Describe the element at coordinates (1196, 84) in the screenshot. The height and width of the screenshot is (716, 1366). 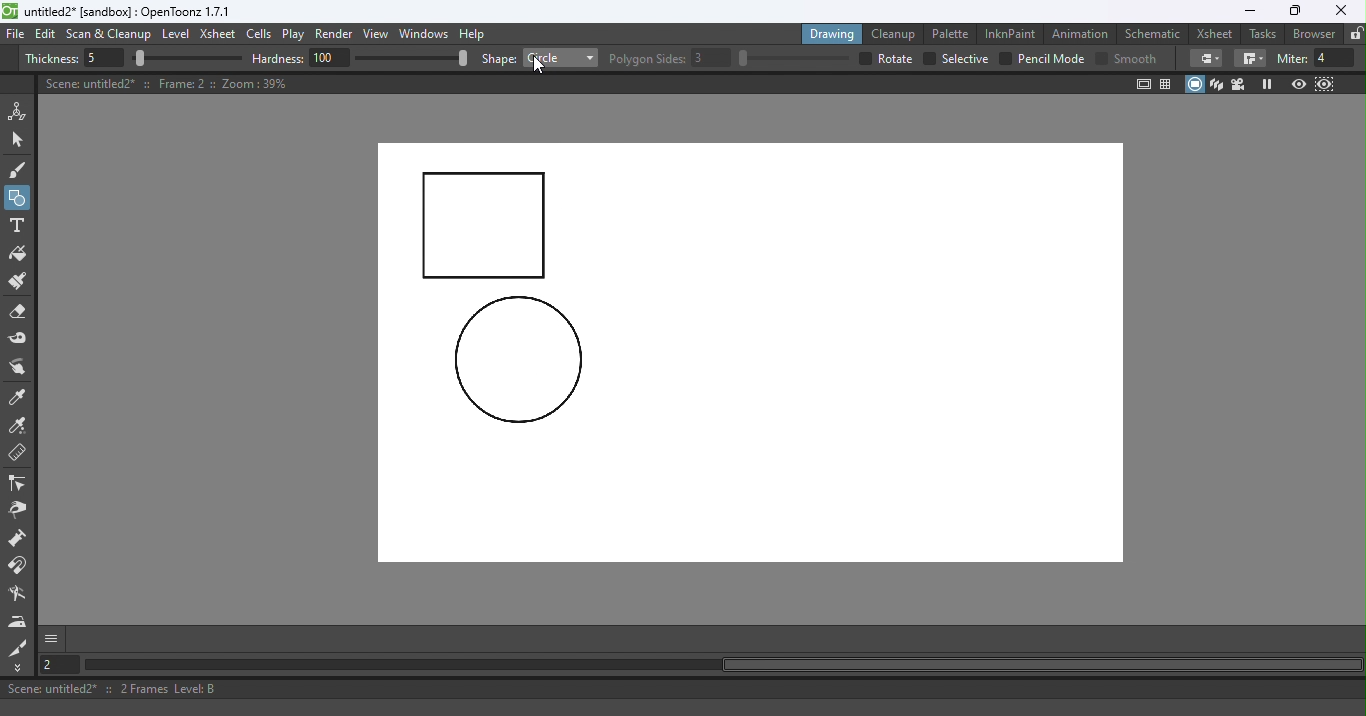
I see `Camera stand view` at that location.